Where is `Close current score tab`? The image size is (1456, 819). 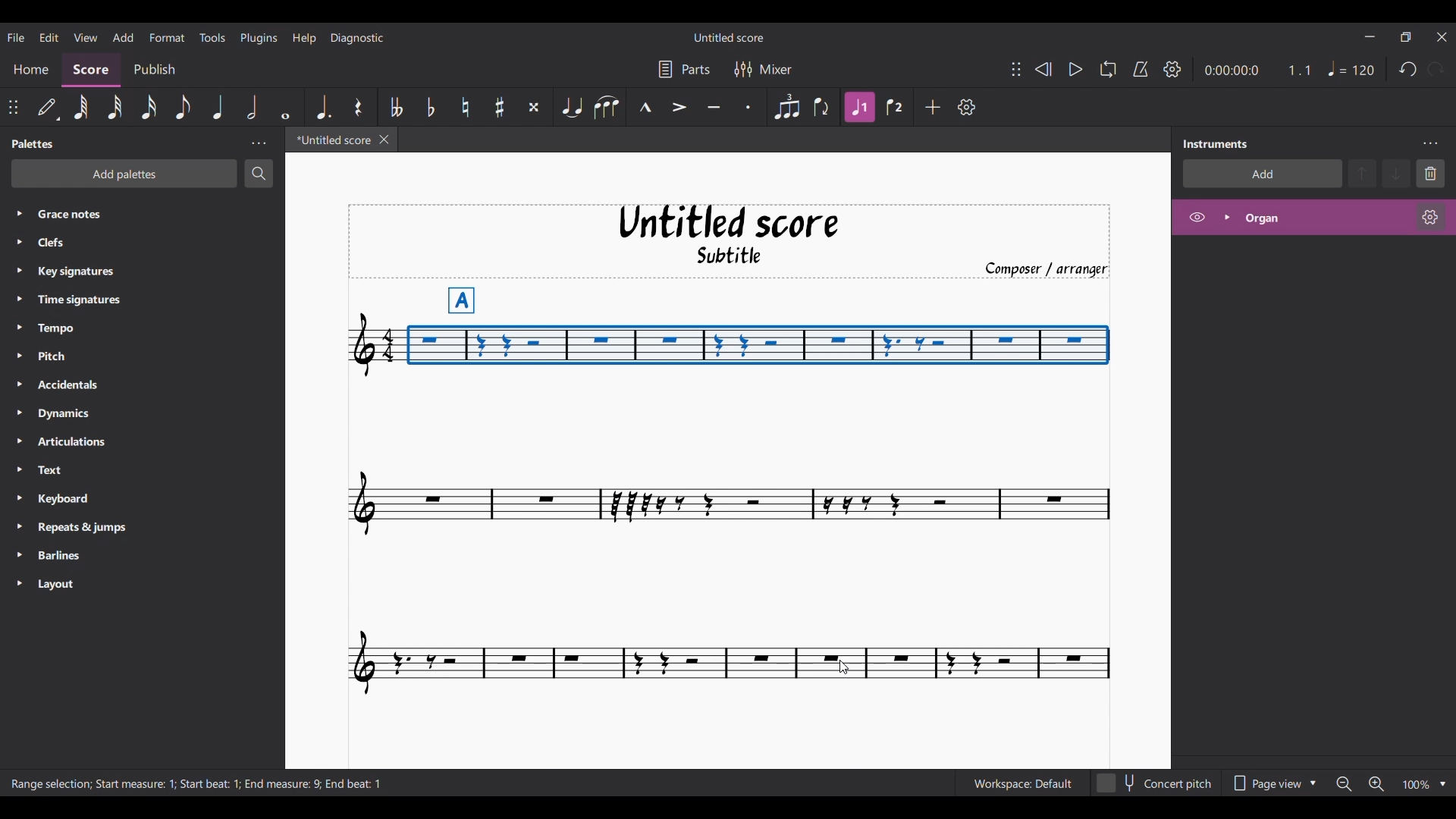 Close current score tab is located at coordinates (384, 140).